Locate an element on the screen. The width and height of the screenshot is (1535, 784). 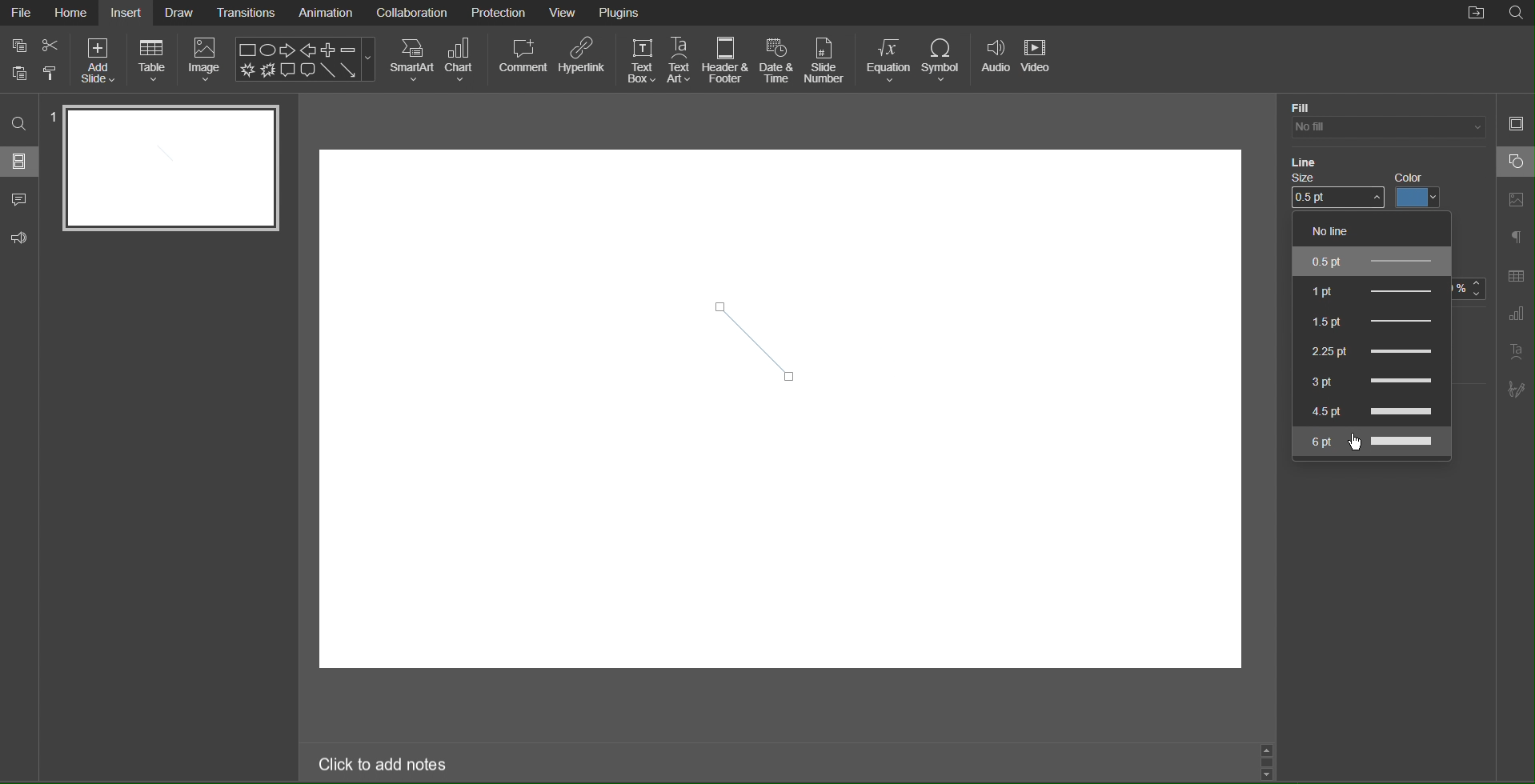
Audio is located at coordinates (995, 59).